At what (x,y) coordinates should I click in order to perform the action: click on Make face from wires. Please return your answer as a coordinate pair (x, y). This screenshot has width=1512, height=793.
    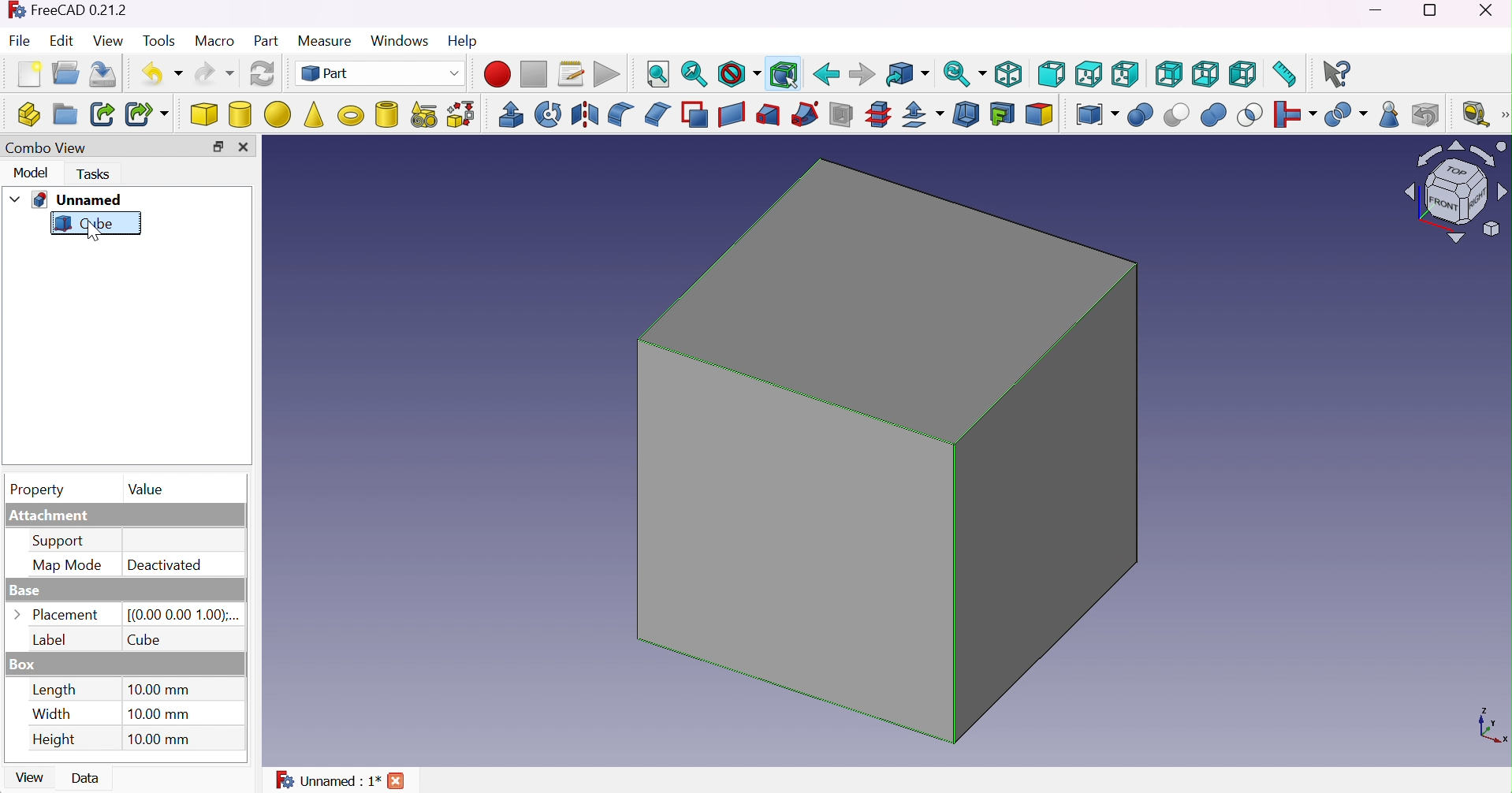
    Looking at the image, I should click on (695, 114).